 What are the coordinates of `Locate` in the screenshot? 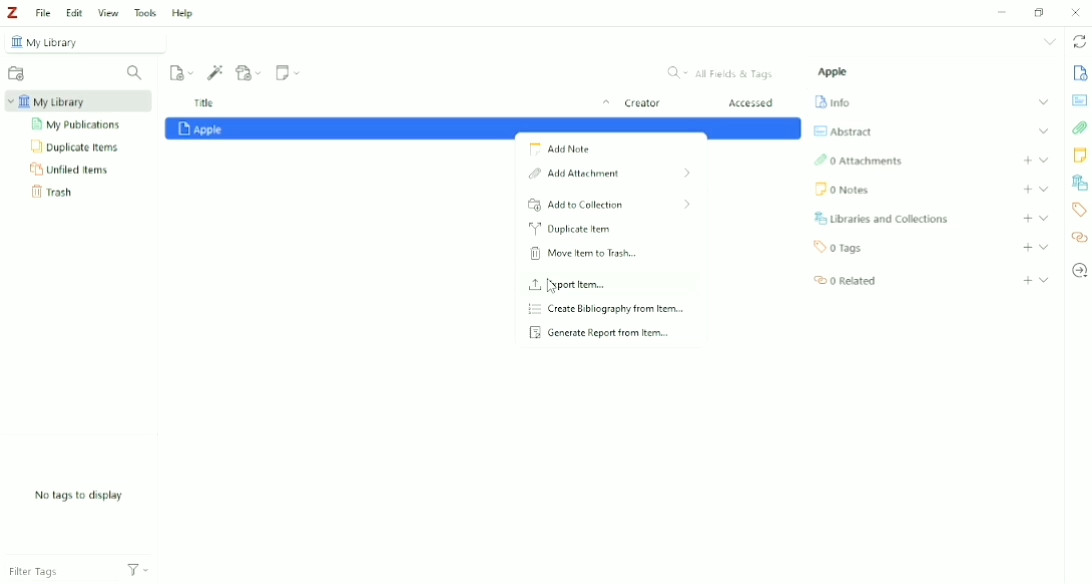 It's located at (1080, 271).